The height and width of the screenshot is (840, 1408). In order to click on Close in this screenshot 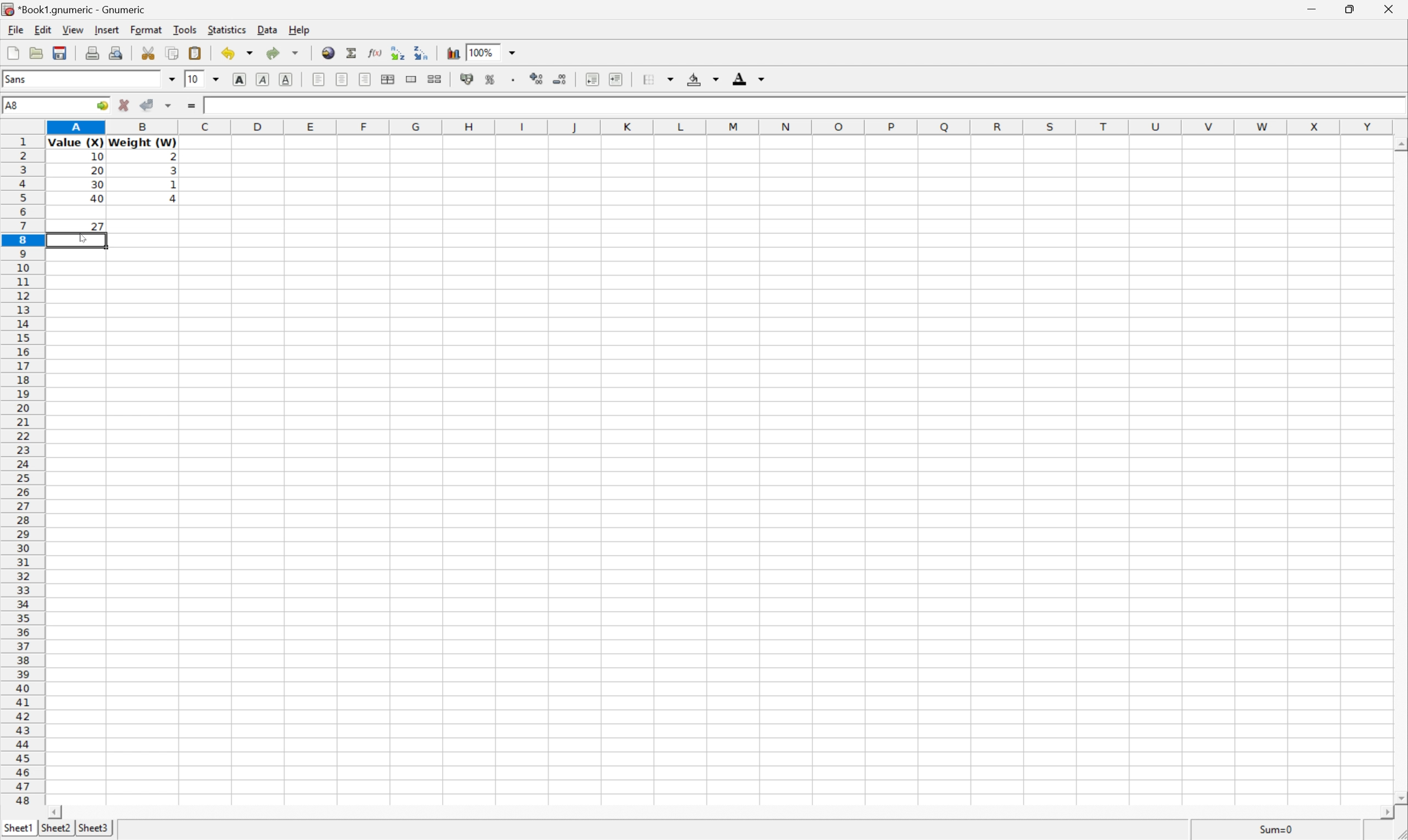, I will do `click(1389, 10)`.